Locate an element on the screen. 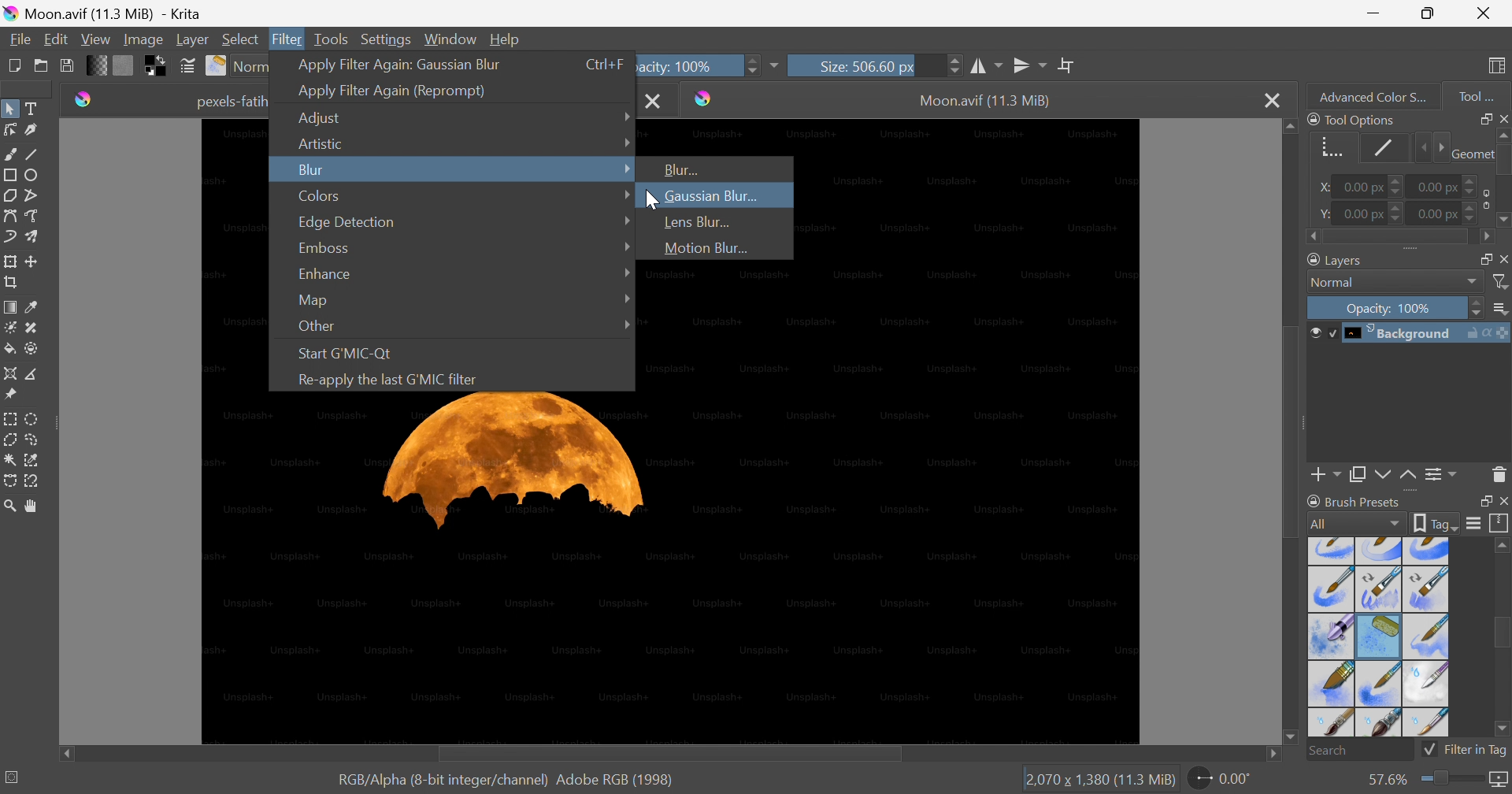  View or change the layer properties is located at coordinates (1442, 477).